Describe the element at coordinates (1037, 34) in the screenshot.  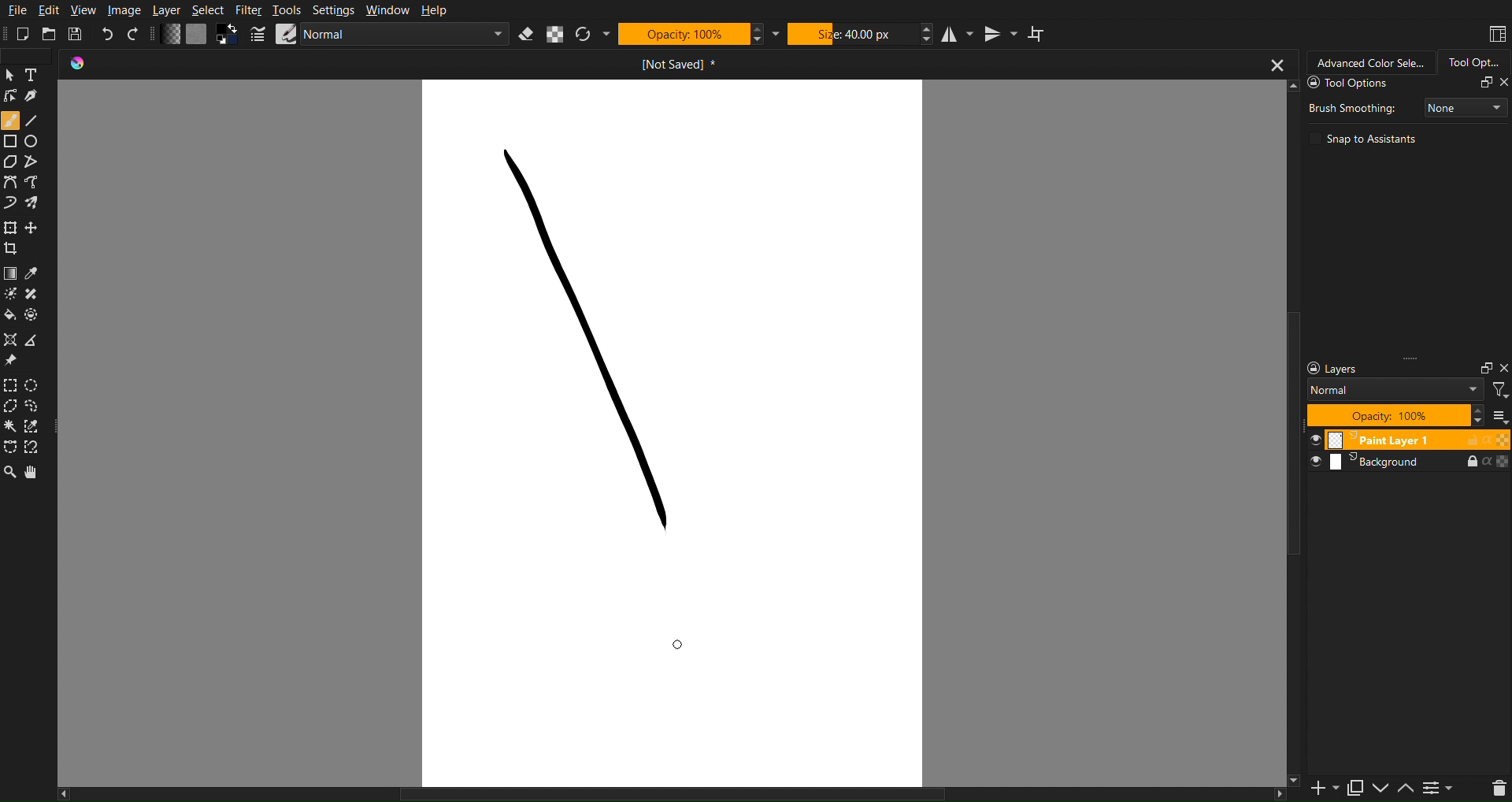
I see `Wrap Around` at that location.